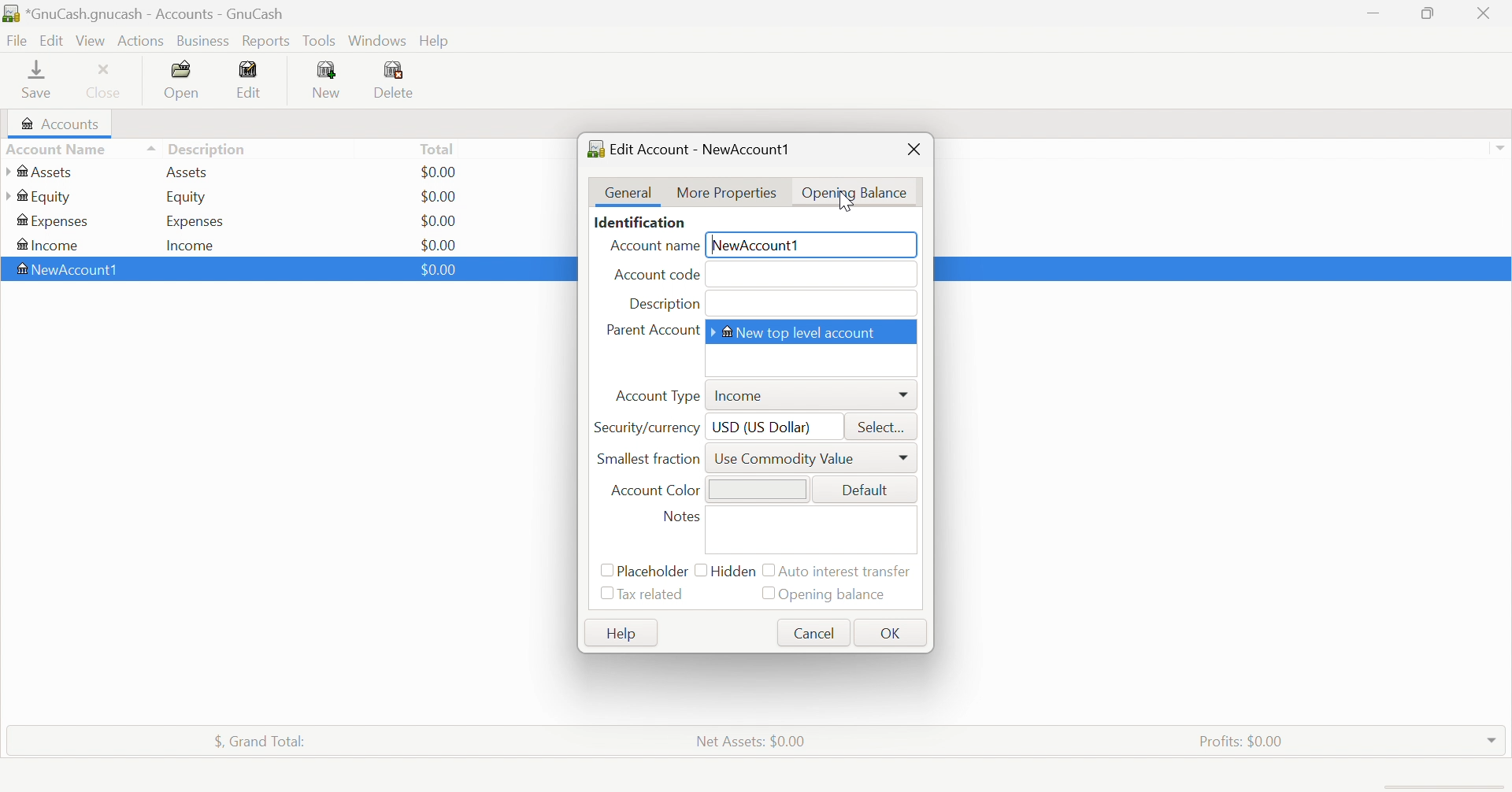 This screenshot has width=1512, height=792. Describe the element at coordinates (193, 220) in the screenshot. I see `Expenses` at that location.